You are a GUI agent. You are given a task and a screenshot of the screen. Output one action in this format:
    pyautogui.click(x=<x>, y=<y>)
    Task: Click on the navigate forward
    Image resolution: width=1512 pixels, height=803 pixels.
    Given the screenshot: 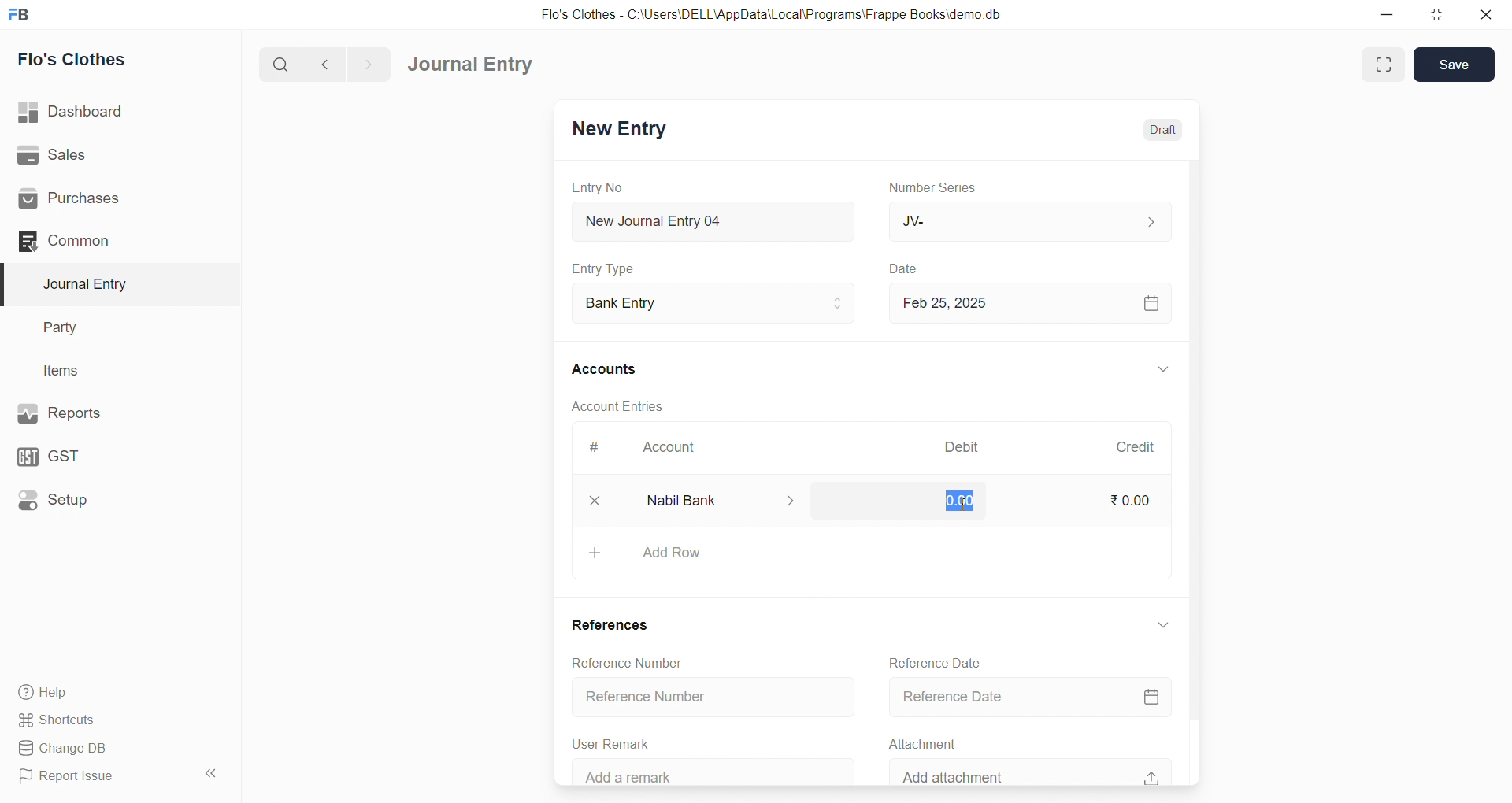 What is the action you would take?
    pyautogui.click(x=368, y=63)
    